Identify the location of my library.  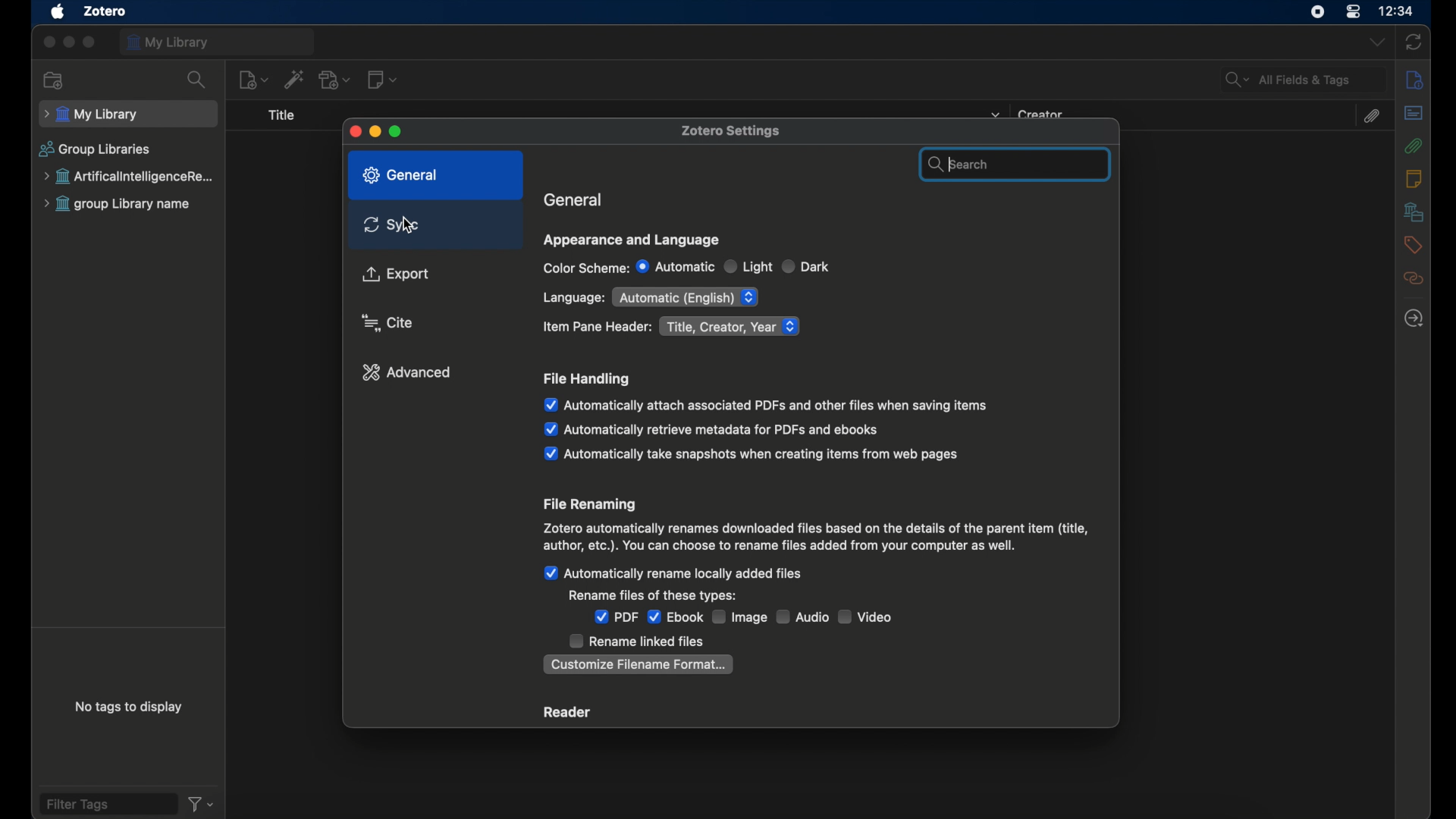
(127, 115).